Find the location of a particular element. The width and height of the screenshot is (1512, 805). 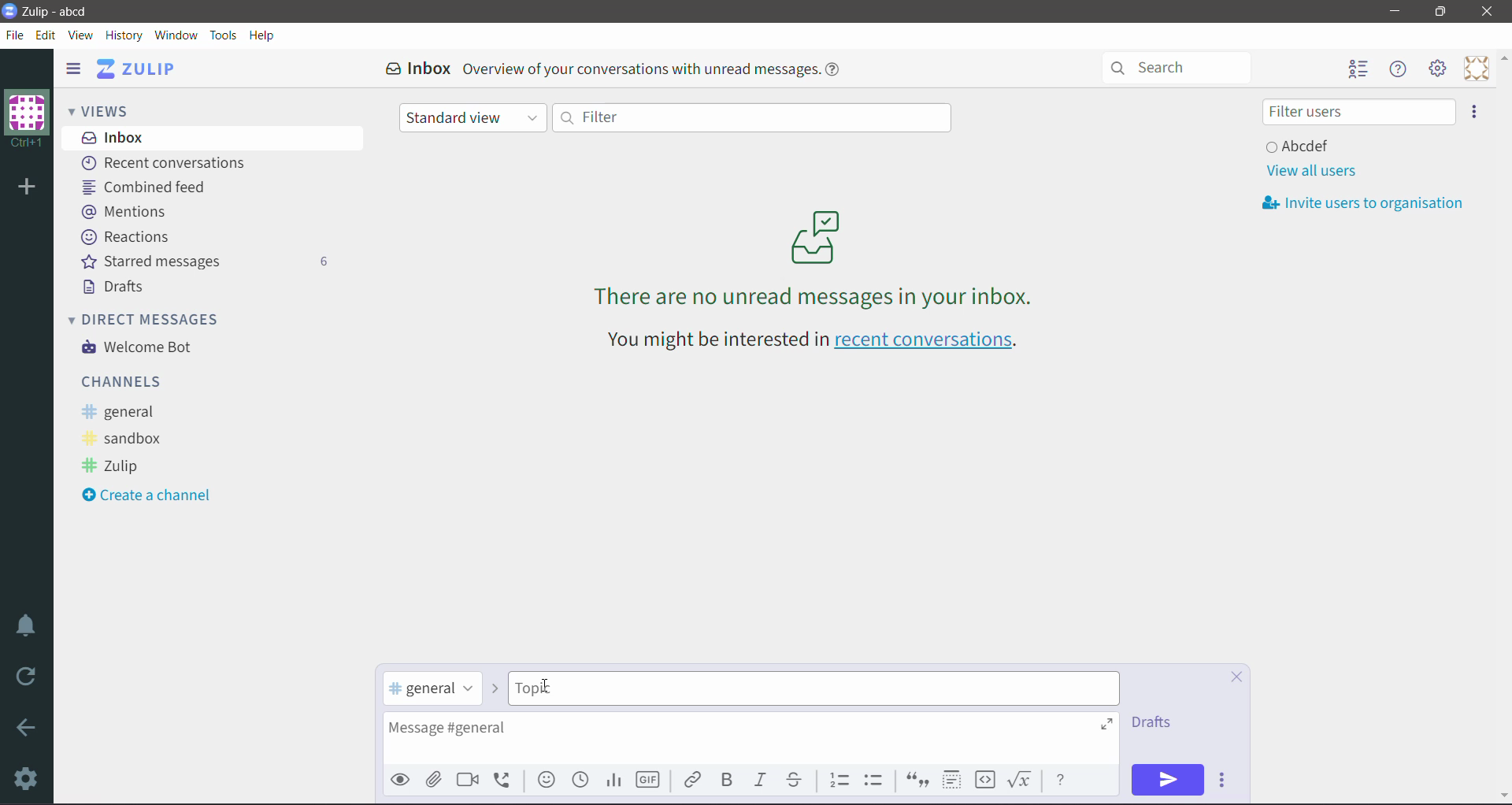

Enable Do Not Disturb is located at coordinates (27, 625).